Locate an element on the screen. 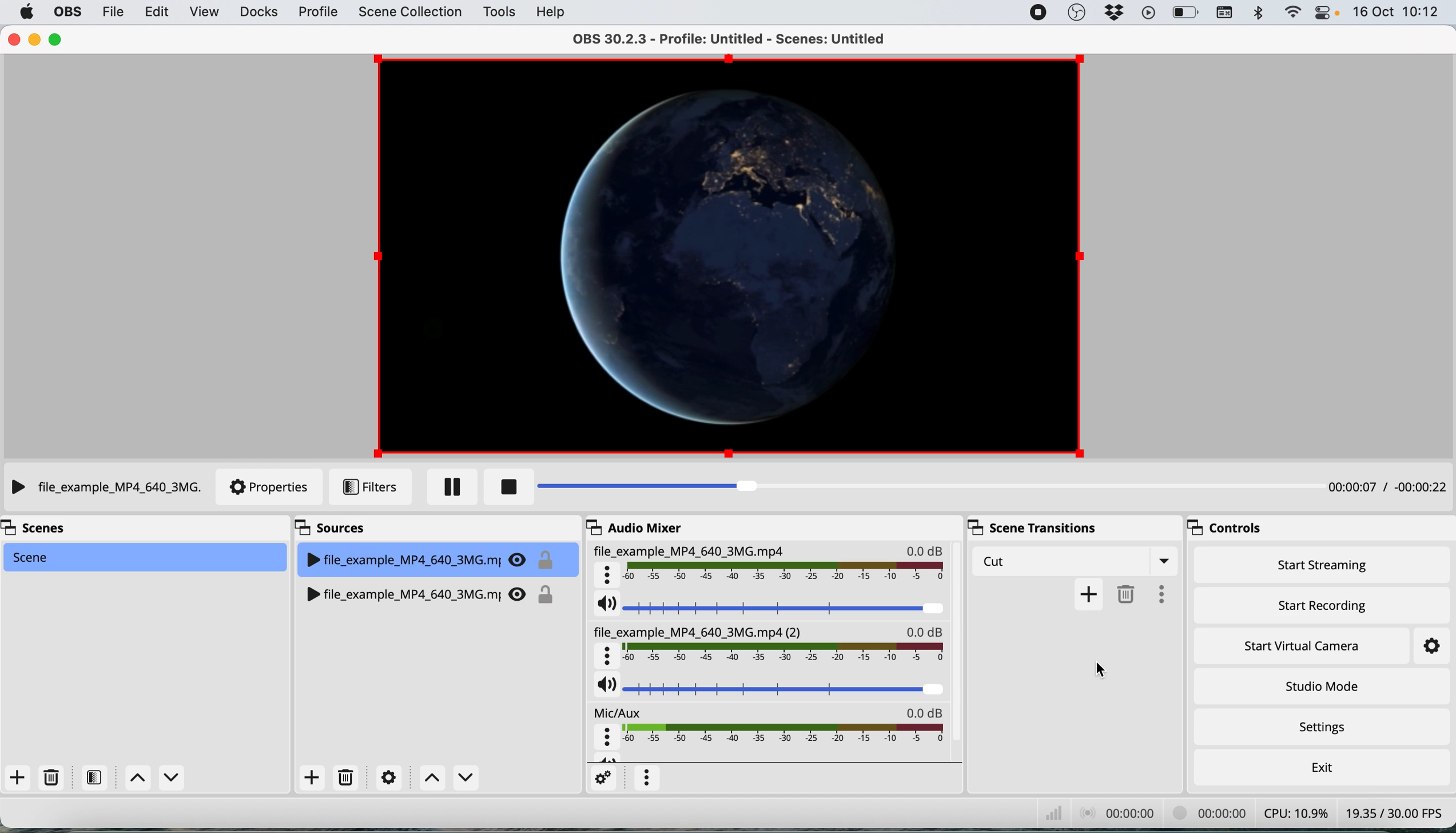 The height and width of the screenshot is (833, 1456). maximise is located at coordinates (58, 39).